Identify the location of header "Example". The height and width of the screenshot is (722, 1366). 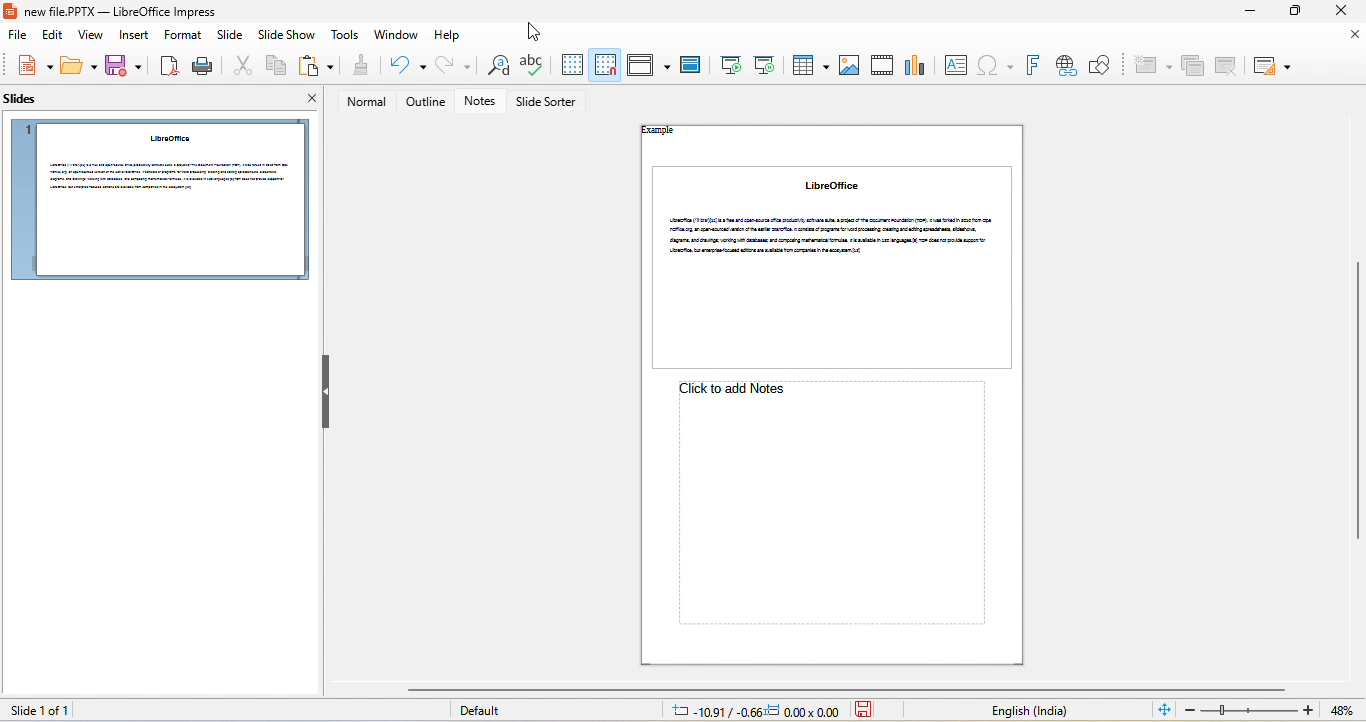
(672, 131).